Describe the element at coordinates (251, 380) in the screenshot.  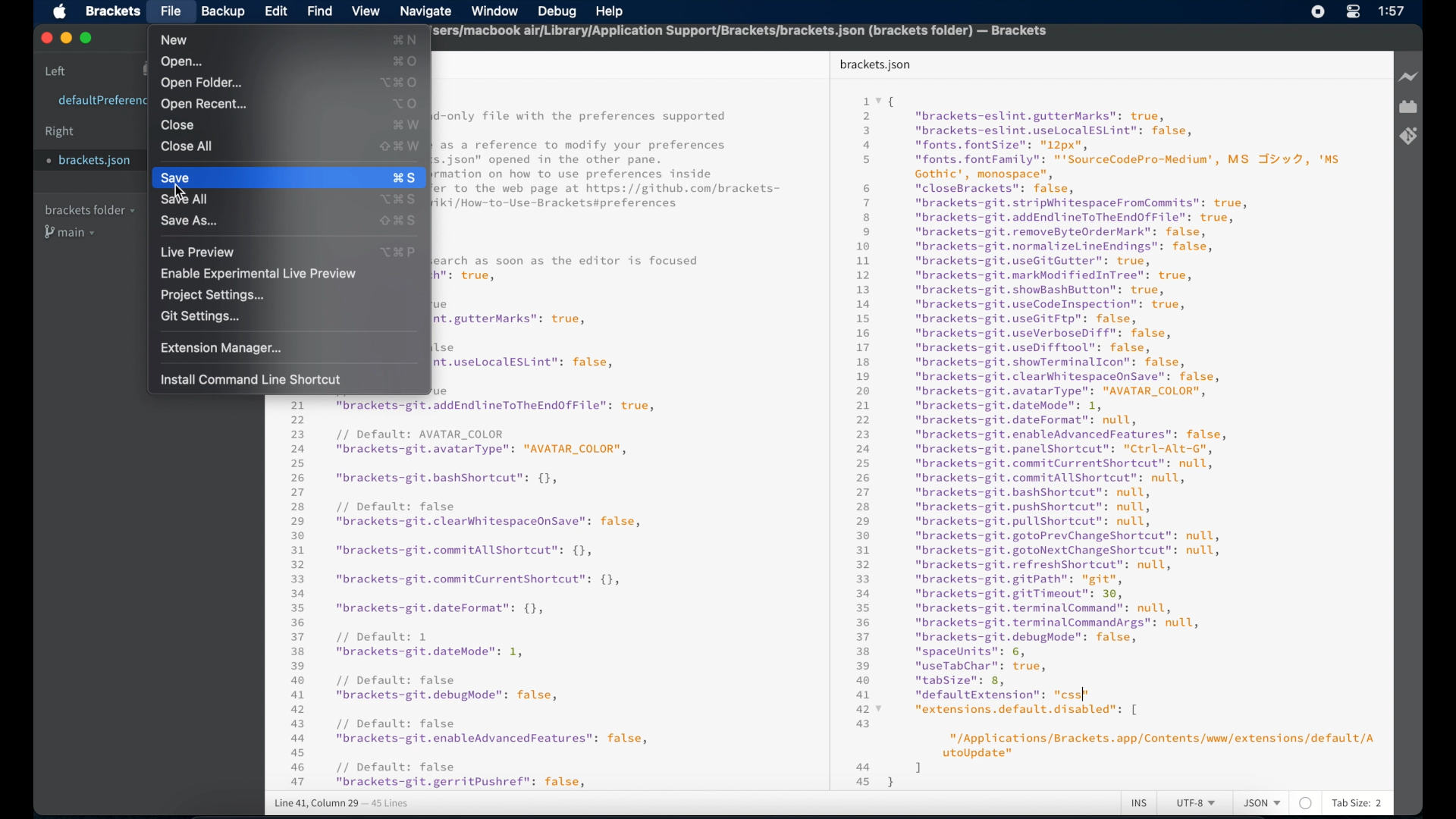
I see `install command line shortcut` at that location.